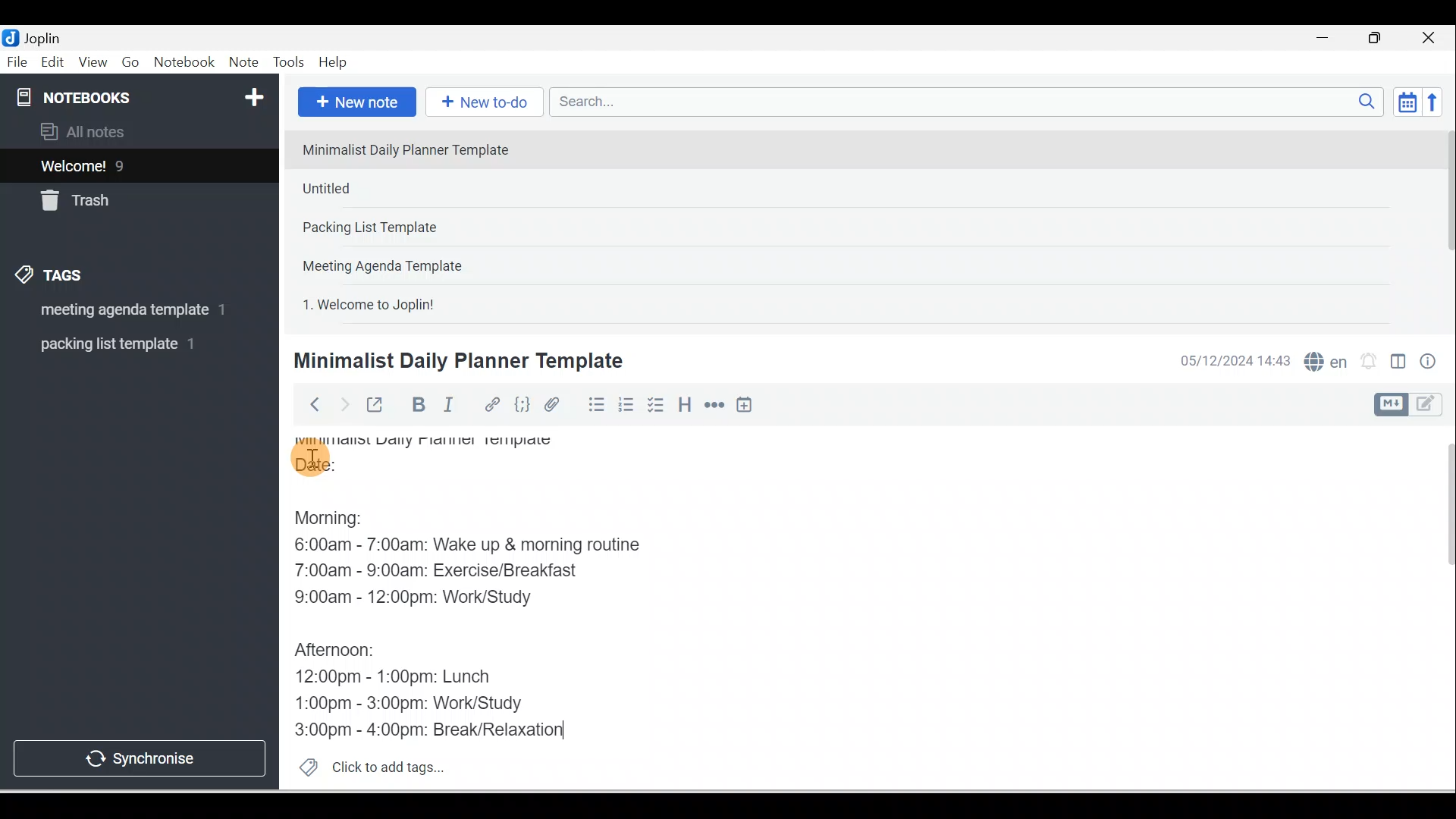  Describe the element at coordinates (1444, 224) in the screenshot. I see `Scroll bar` at that location.